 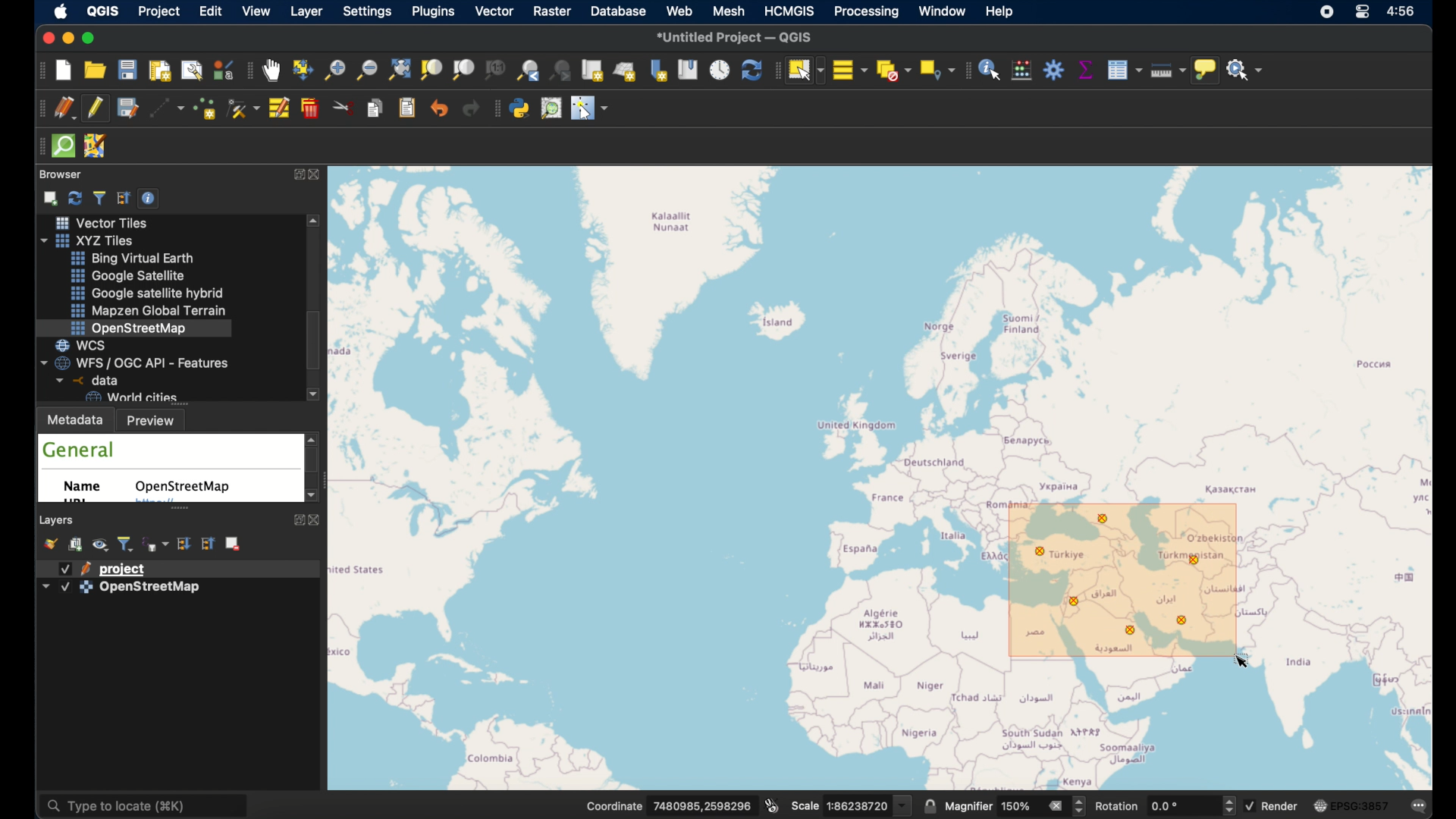 What do you see at coordinates (398, 69) in the screenshot?
I see `zoom full` at bounding box center [398, 69].